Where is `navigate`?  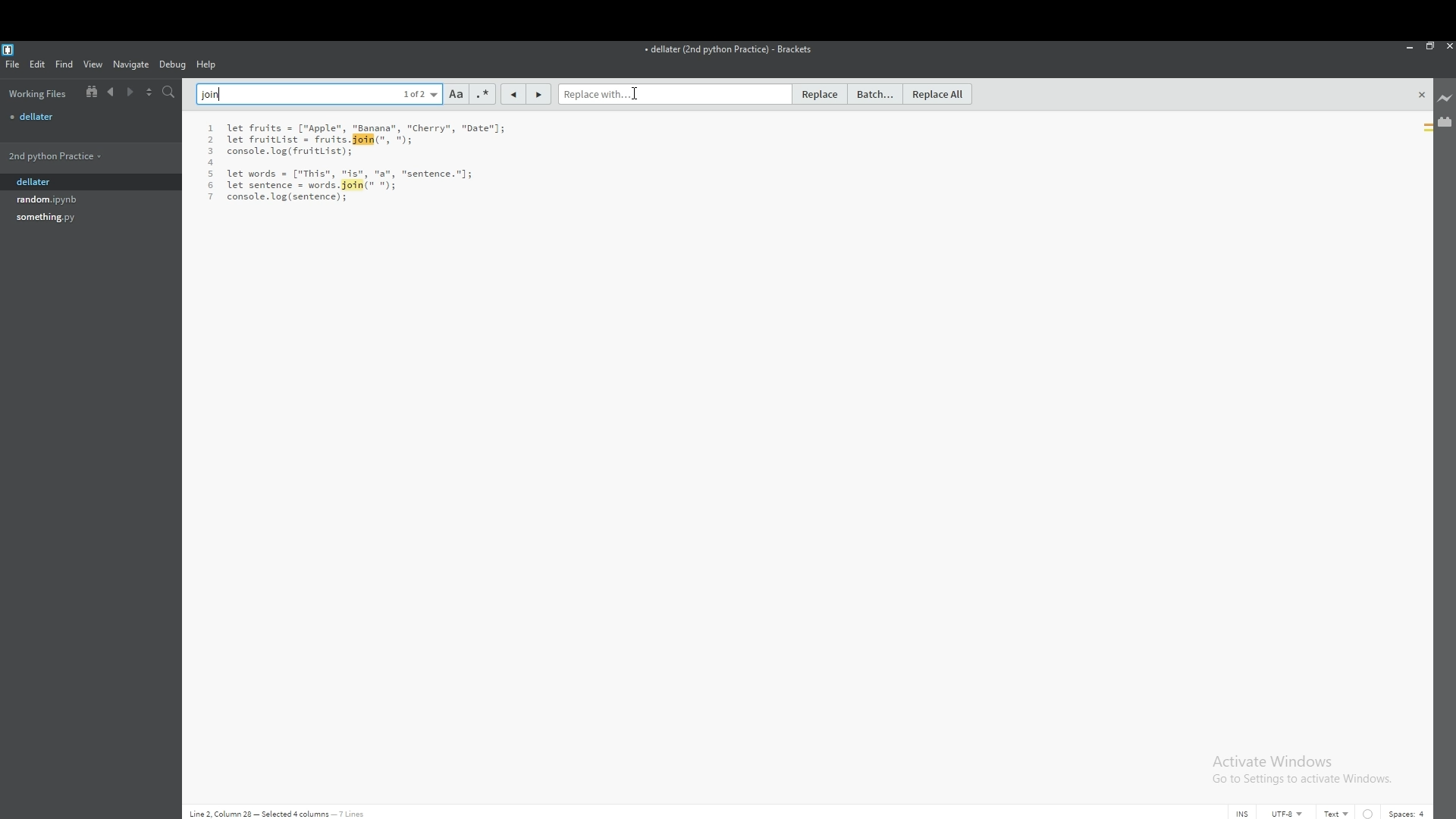 navigate is located at coordinates (132, 64).